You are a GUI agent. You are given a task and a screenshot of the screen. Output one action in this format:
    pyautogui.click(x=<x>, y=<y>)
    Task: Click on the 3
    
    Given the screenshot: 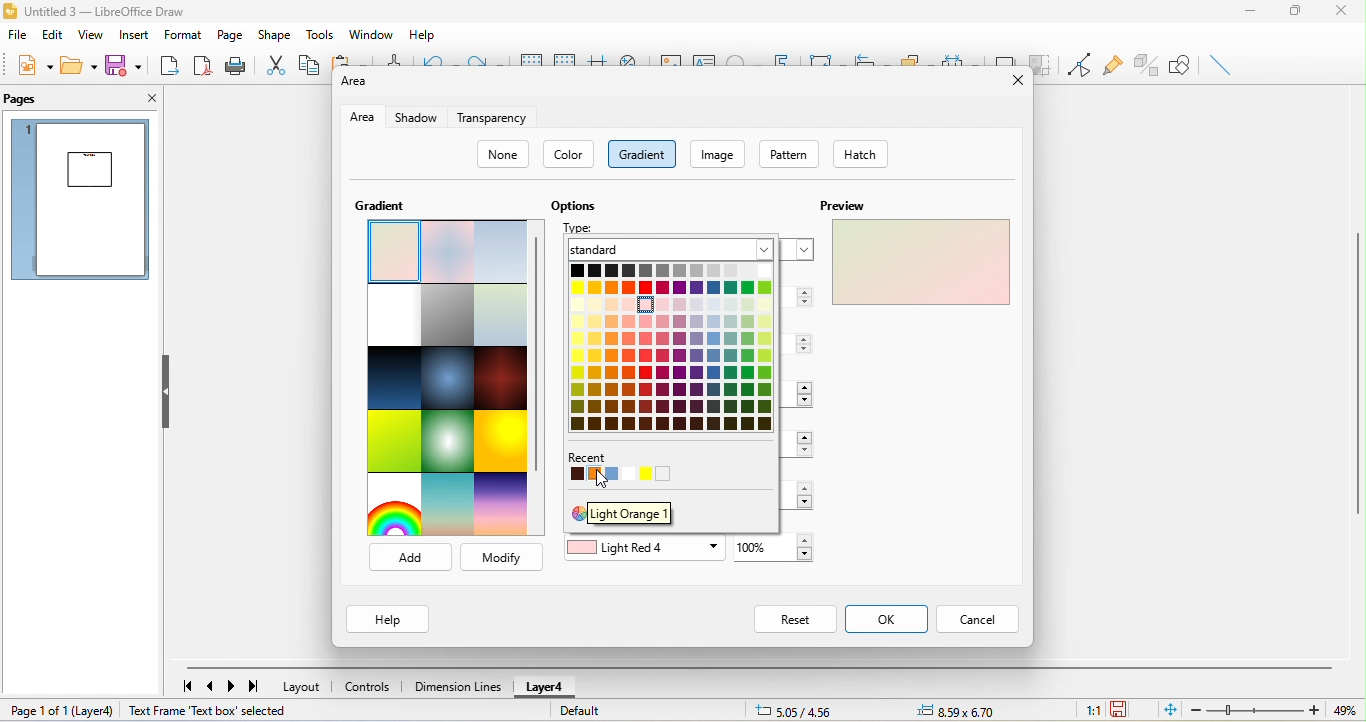 What is the action you would take?
    pyautogui.click(x=799, y=298)
    